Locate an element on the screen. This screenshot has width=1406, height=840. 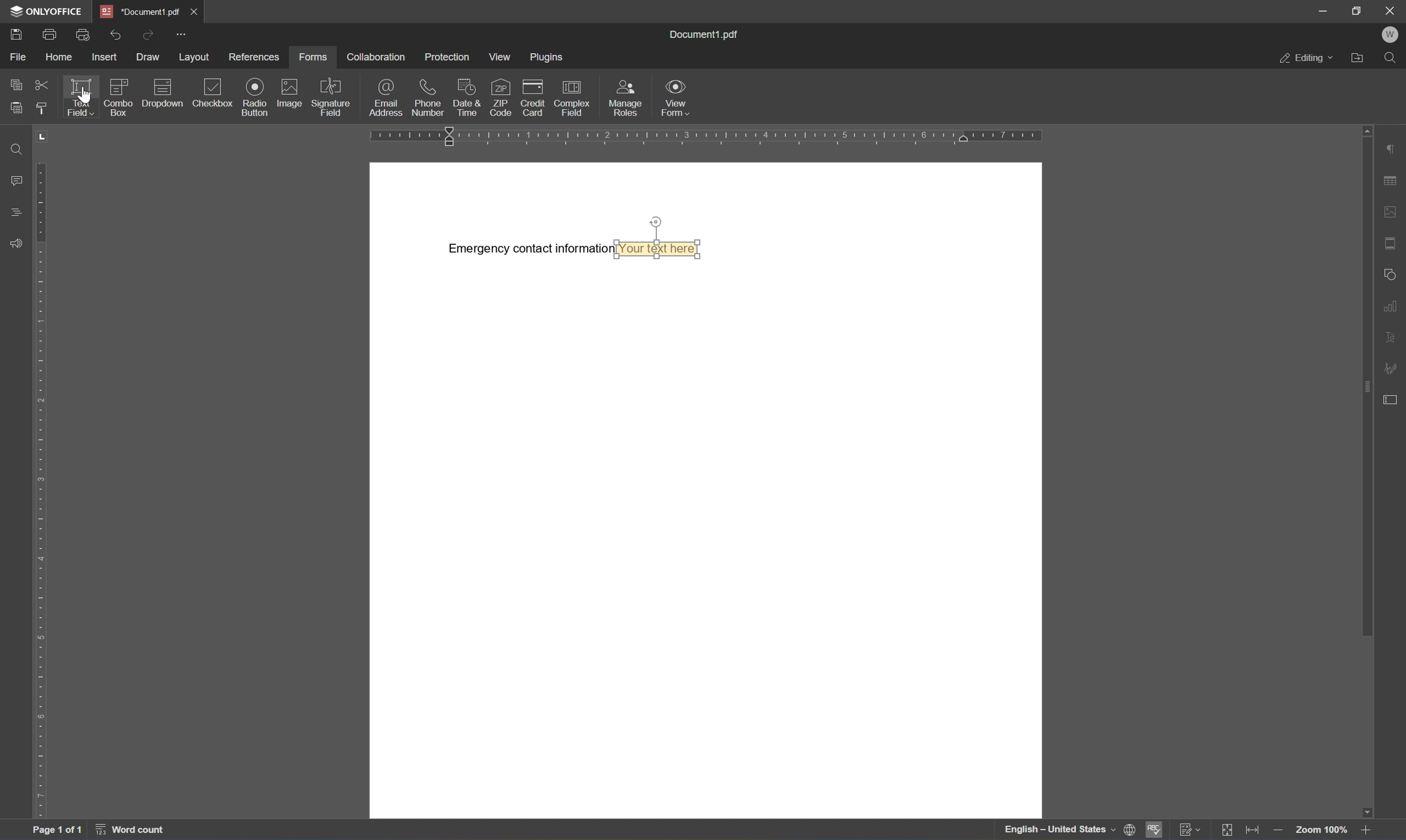
zoom in is located at coordinates (1366, 831).